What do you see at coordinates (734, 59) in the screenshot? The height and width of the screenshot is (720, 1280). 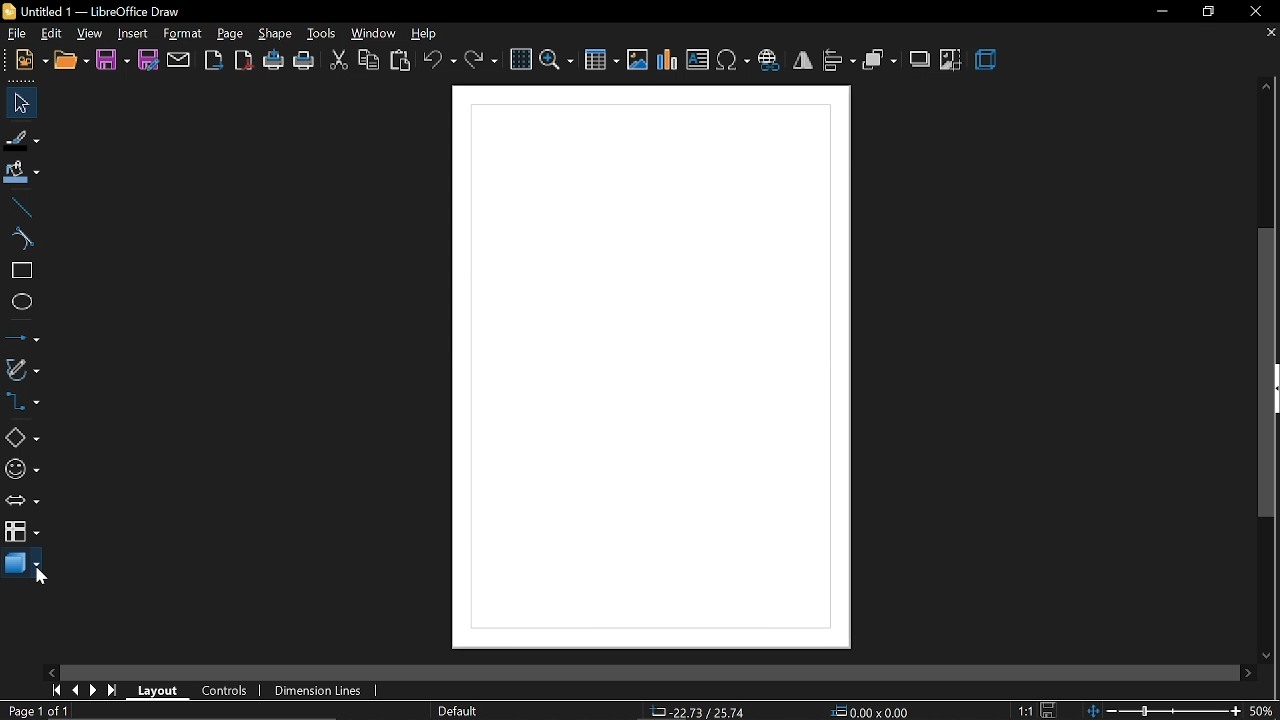 I see `insert symbol` at bounding box center [734, 59].